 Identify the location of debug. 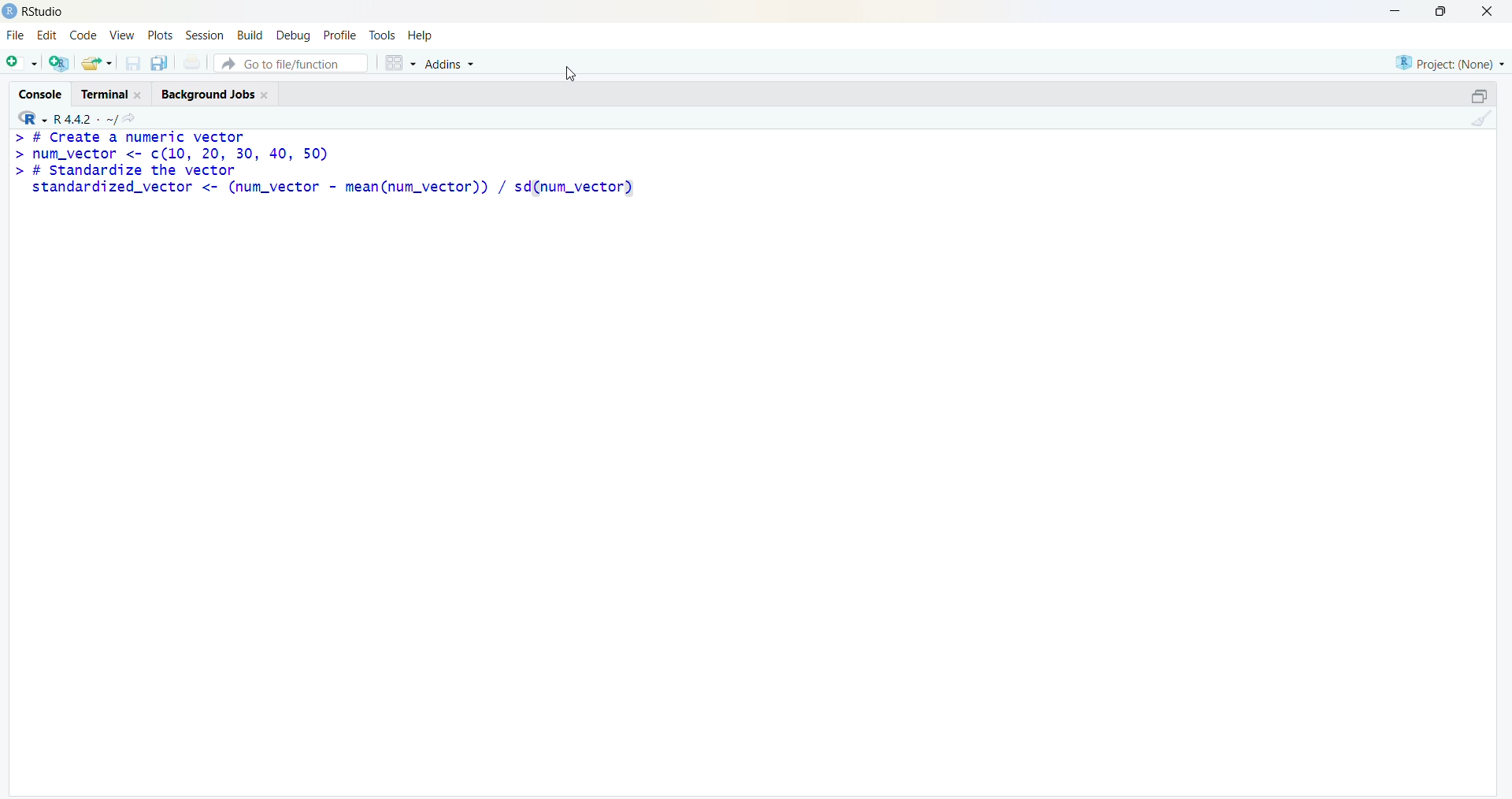
(295, 36).